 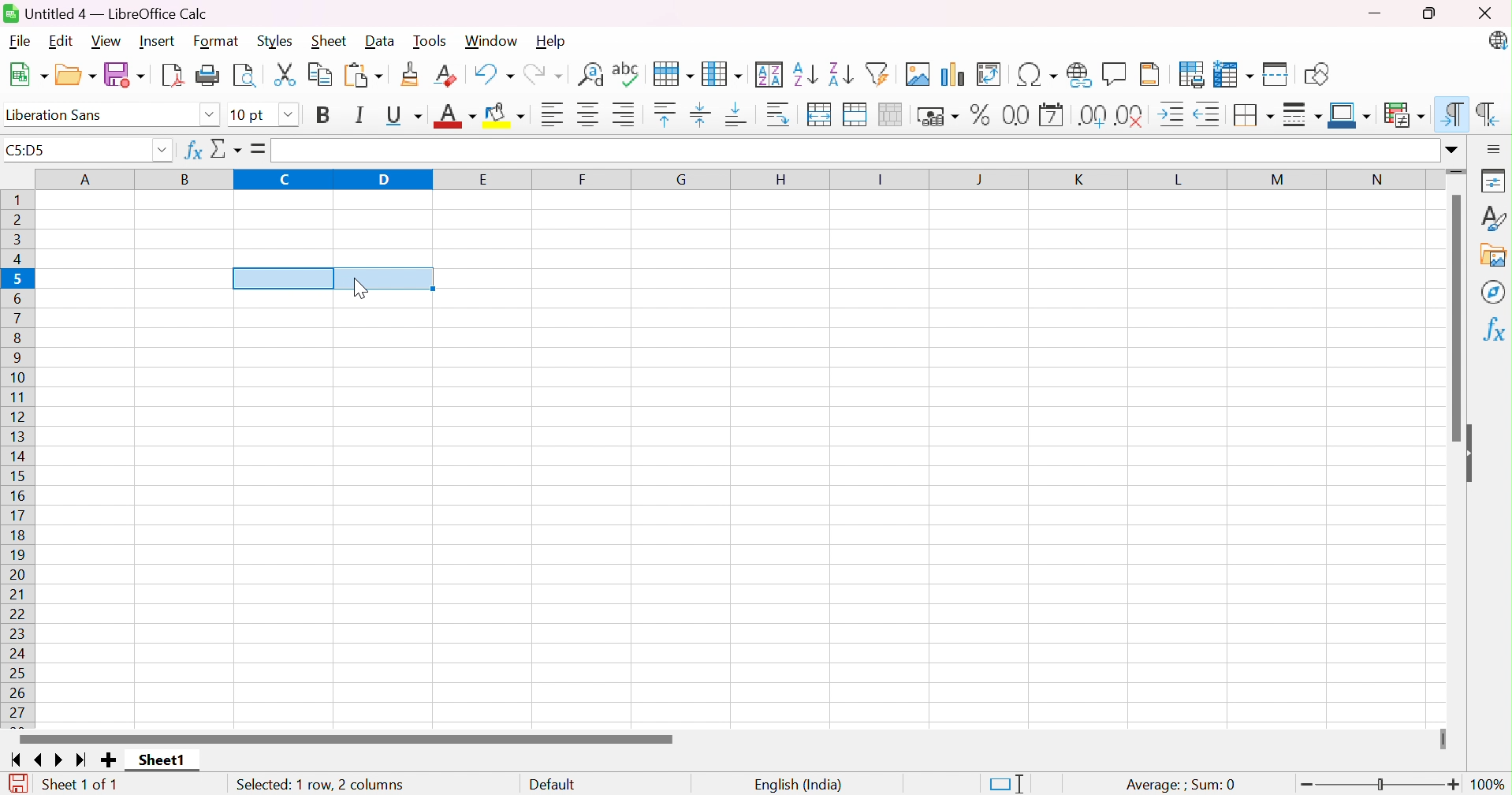 What do you see at coordinates (1349, 114) in the screenshot?
I see `Border Color` at bounding box center [1349, 114].